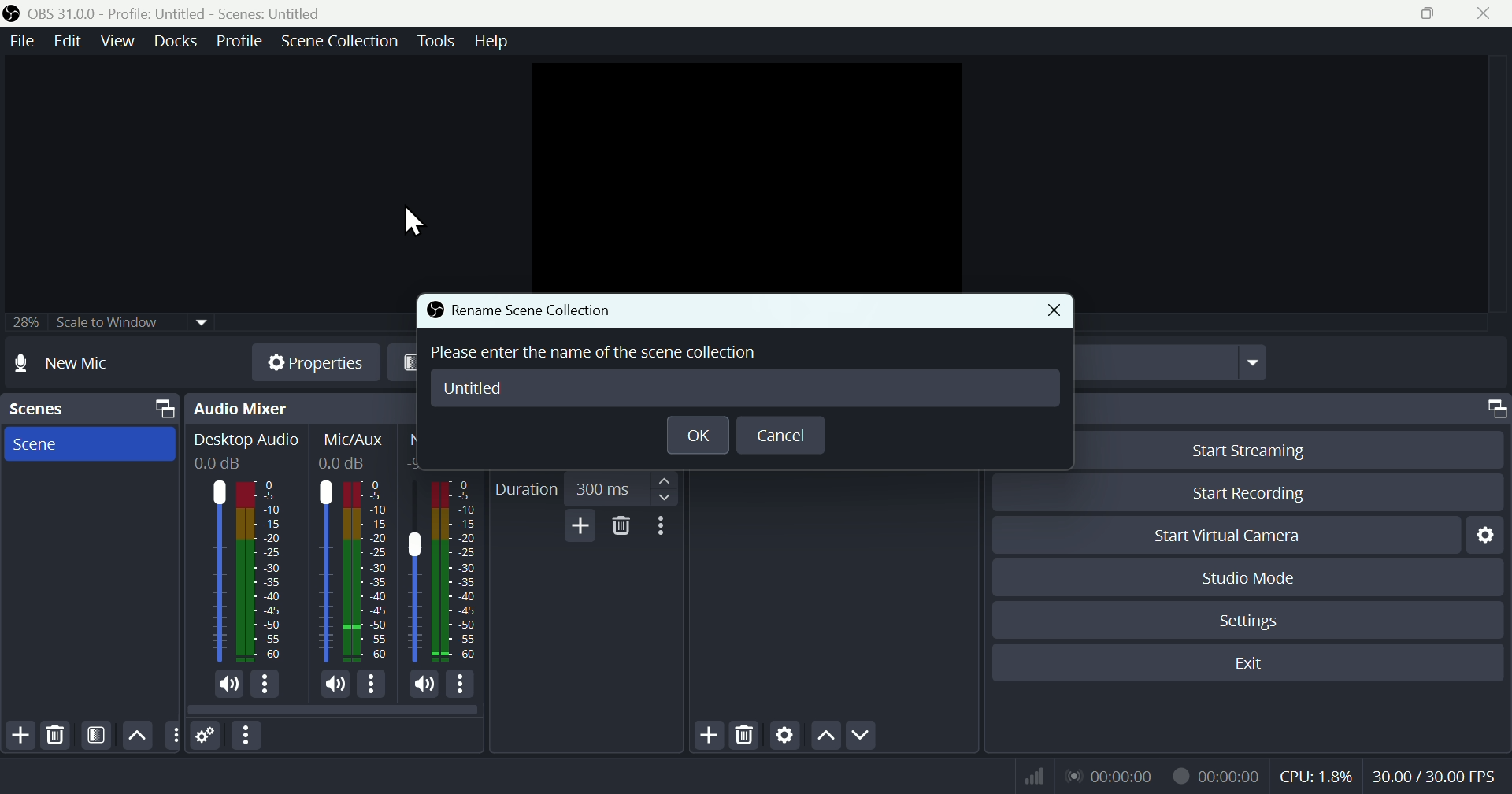  Describe the element at coordinates (464, 685) in the screenshot. I see `More Options` at that location.